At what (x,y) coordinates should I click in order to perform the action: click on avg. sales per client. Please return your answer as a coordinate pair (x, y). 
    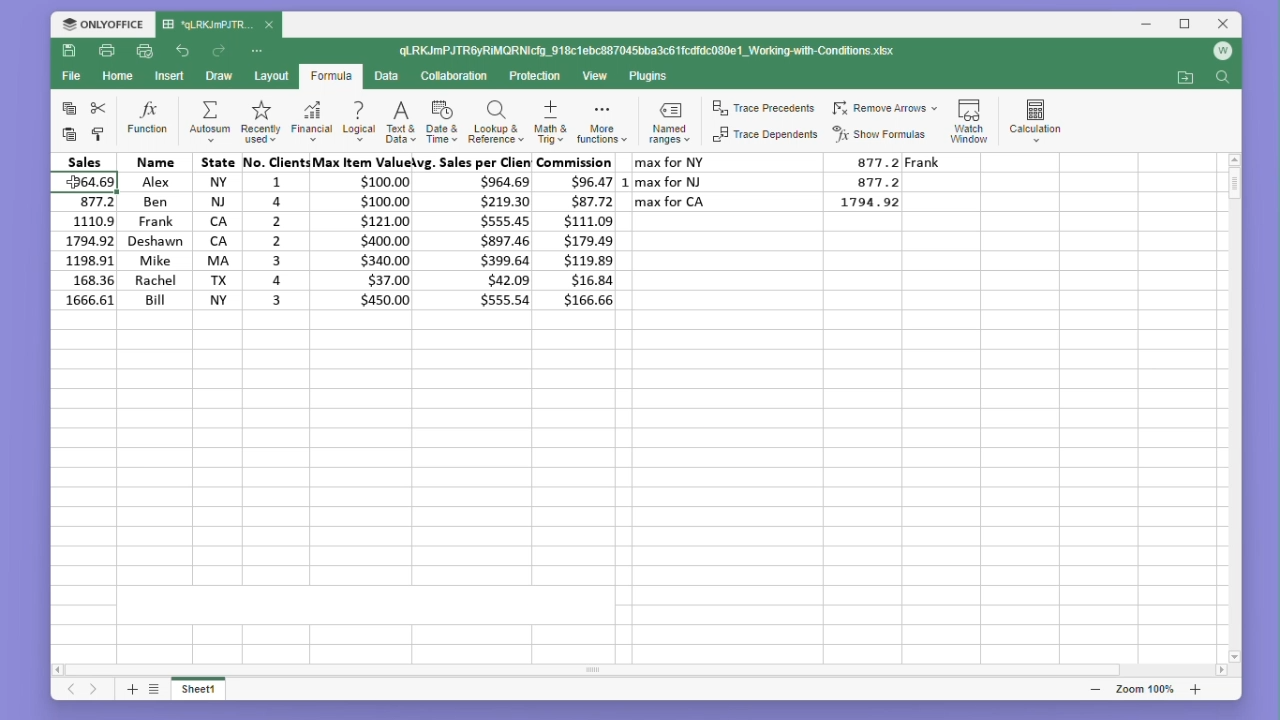
    Looking at the image, I should click on (477, 231).